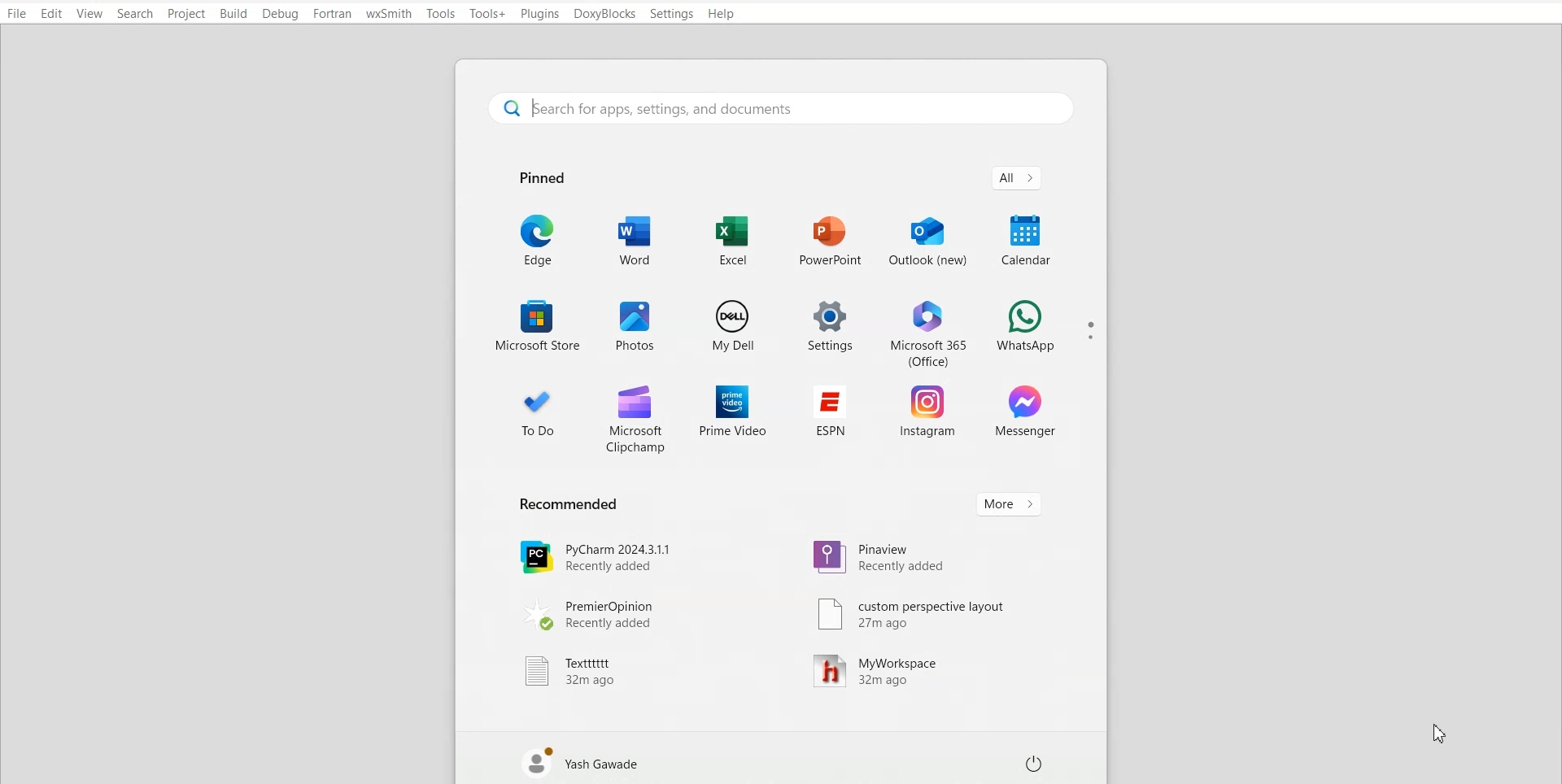 The height and width of the screenshot is (784, 1562). What do you see at coordinates (539, 320) in the screenshot?
I see `Microsoft store` at bounding box center [539, 320].